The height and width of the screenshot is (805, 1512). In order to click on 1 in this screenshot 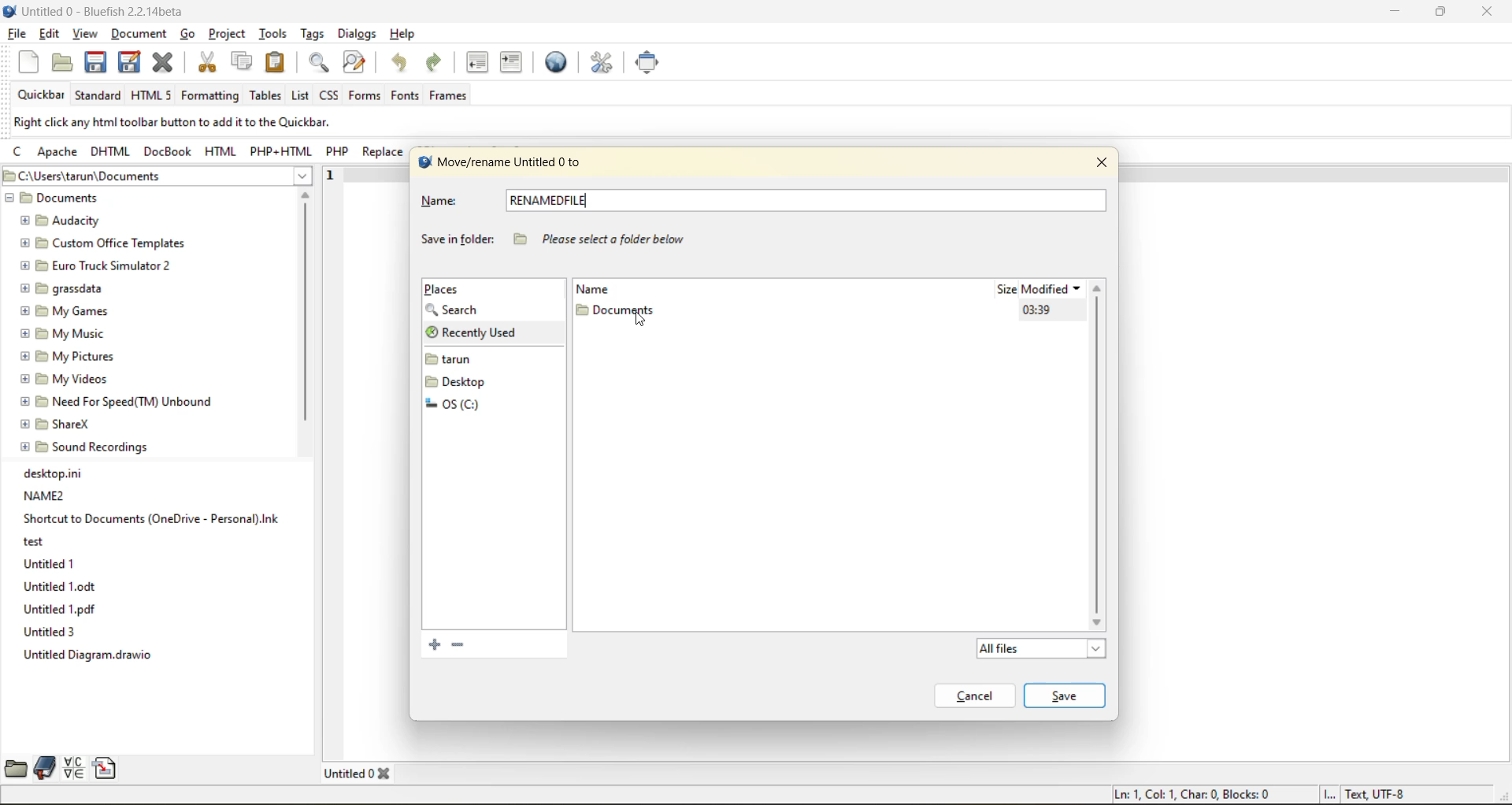, I will do `click(334, 178)`.